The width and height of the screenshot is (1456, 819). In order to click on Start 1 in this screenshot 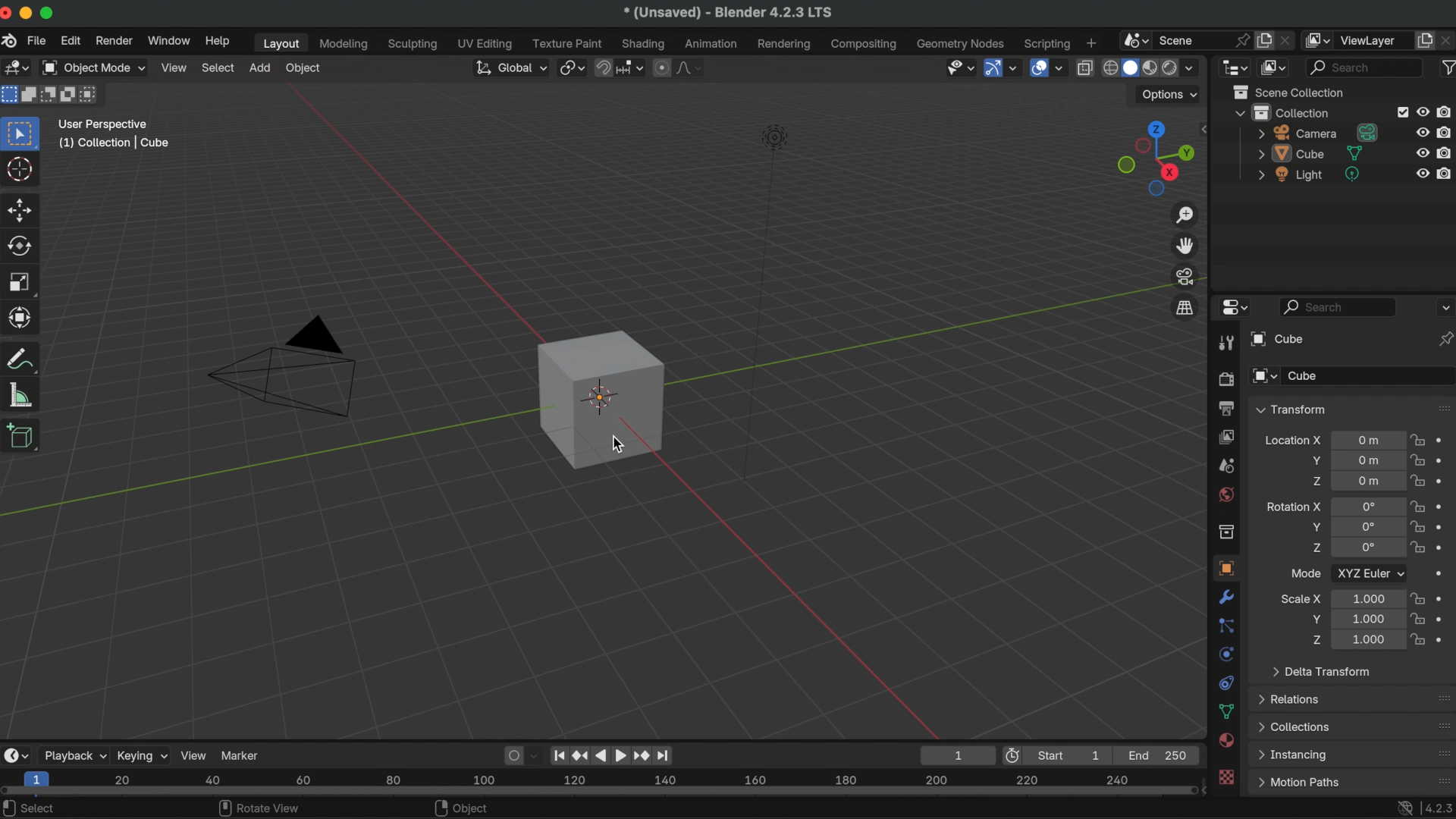, I will do `click(1075, 755)`.